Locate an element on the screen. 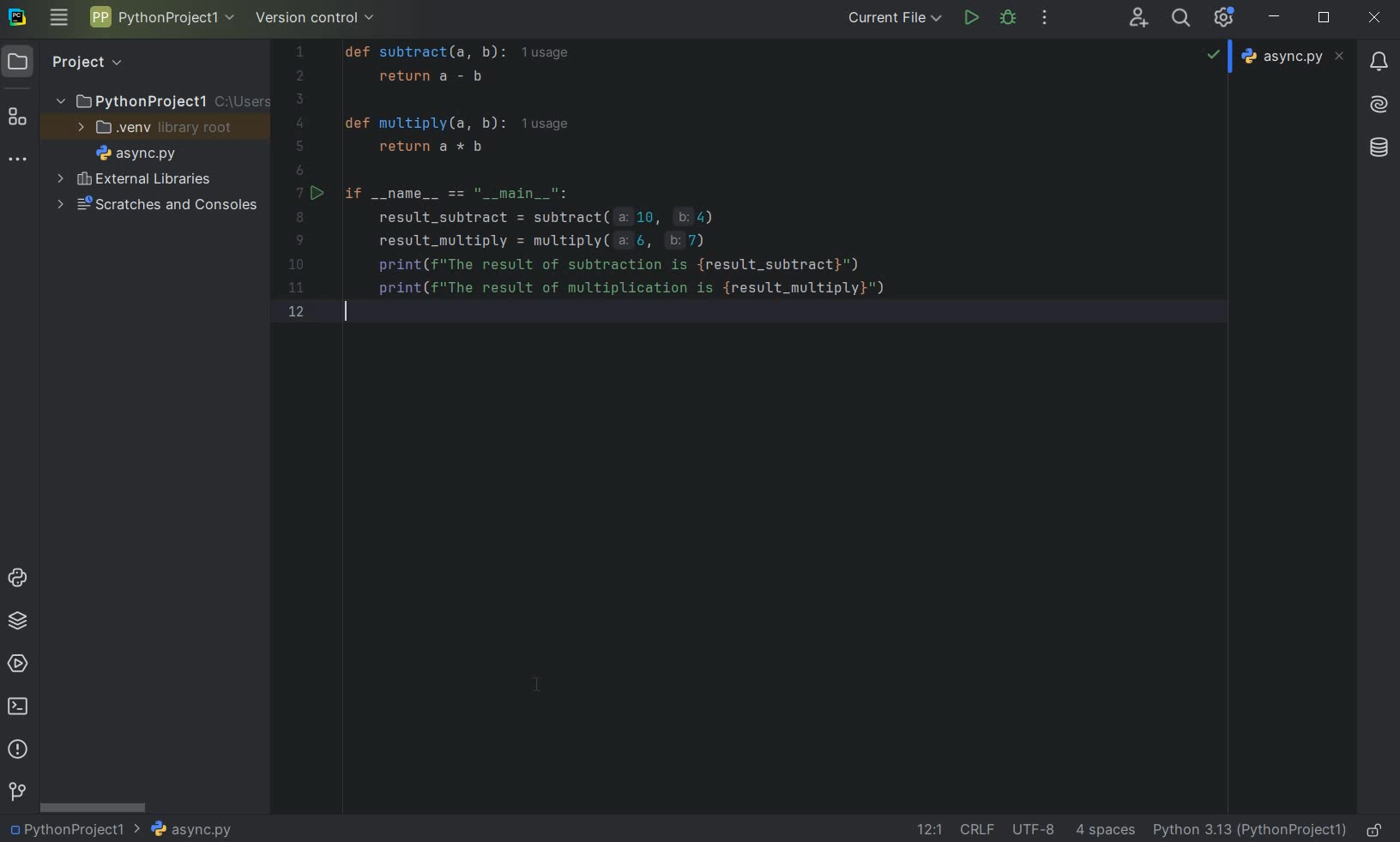 The width and height of the screenshot is (1400, 842). indent is located at coordinates (1105, 830).